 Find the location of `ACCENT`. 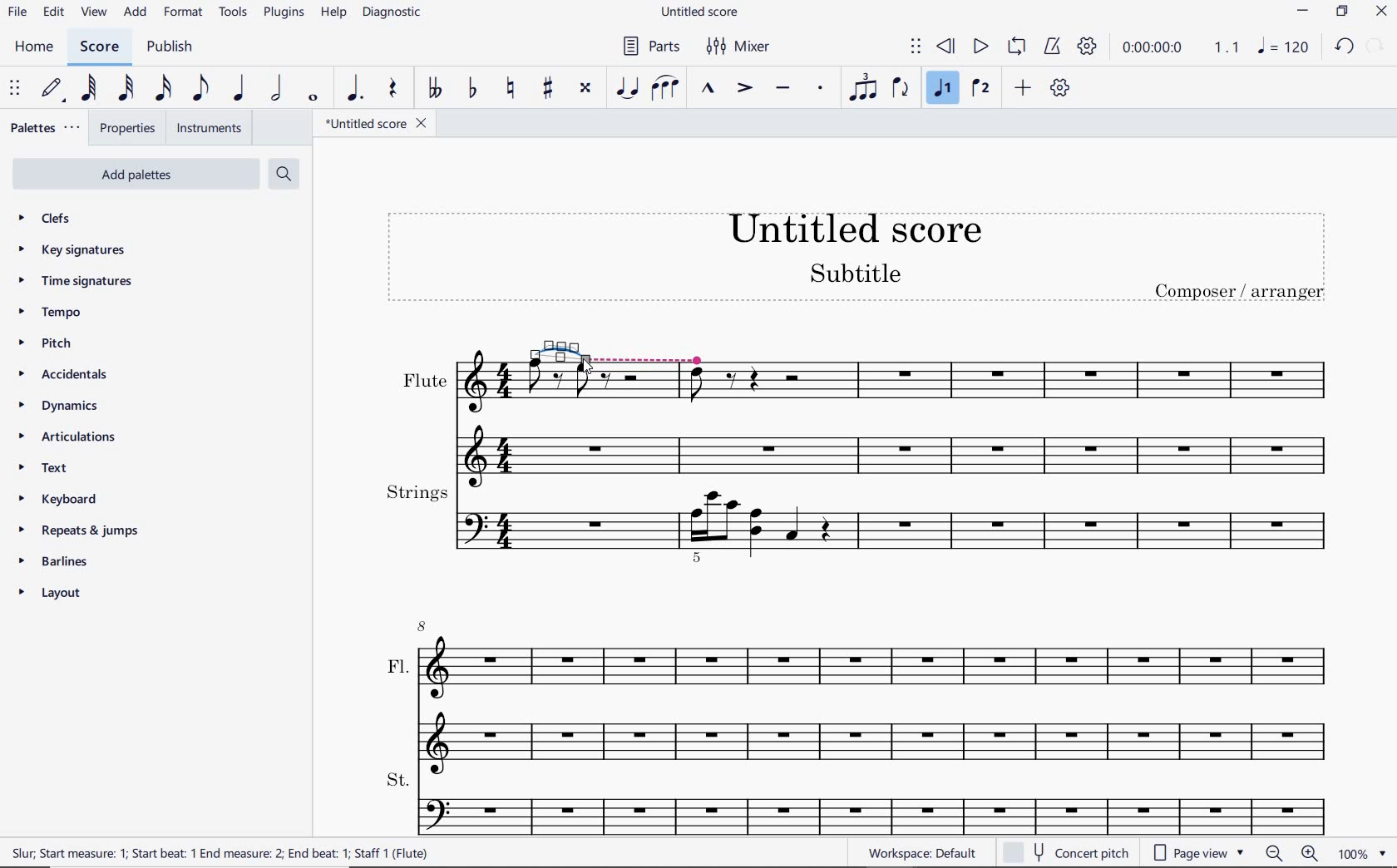

ACCENT is located at coordinates (741, 90).